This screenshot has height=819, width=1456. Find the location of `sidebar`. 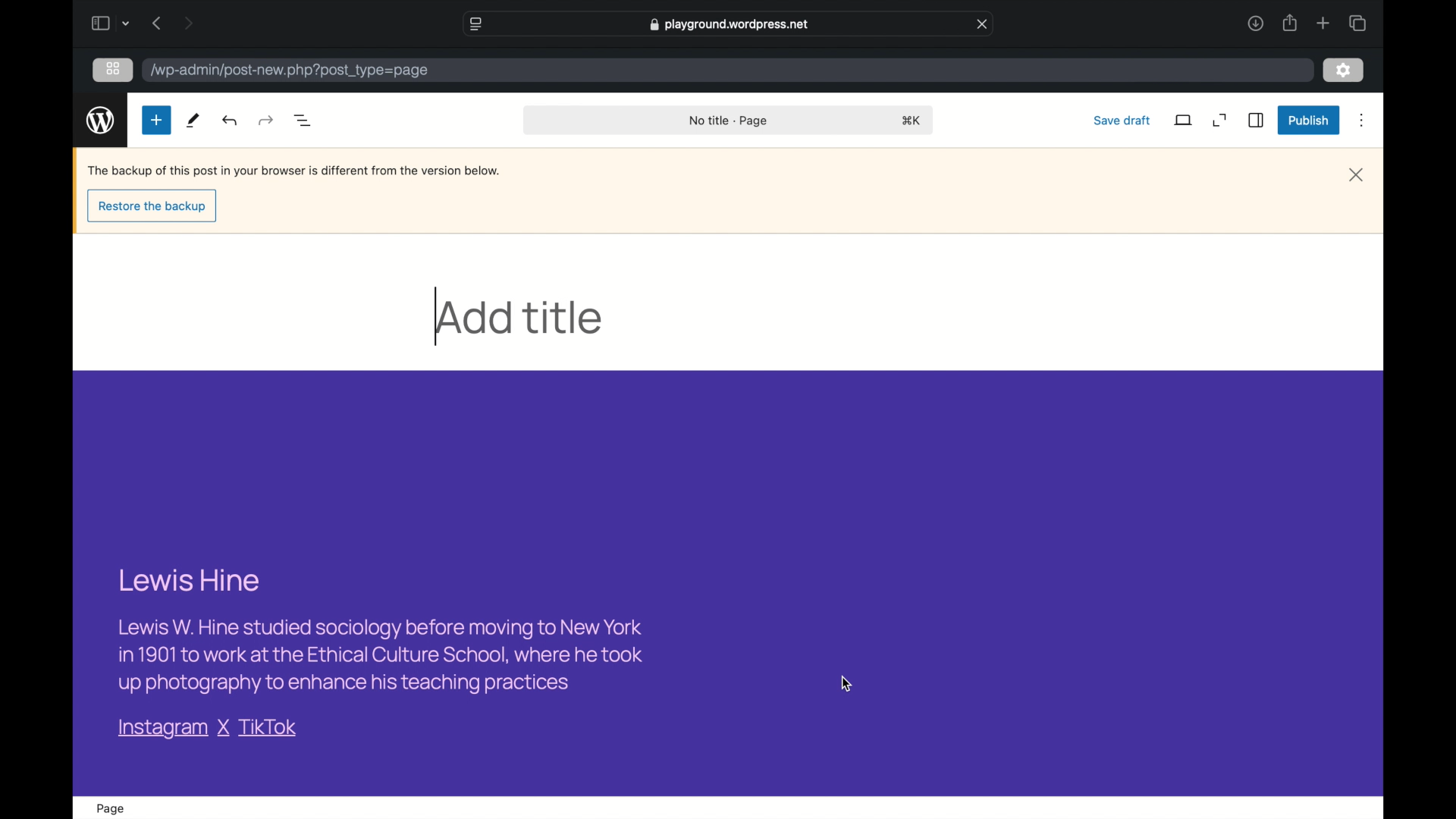

sidebar is located at coordinates (1257, 120).